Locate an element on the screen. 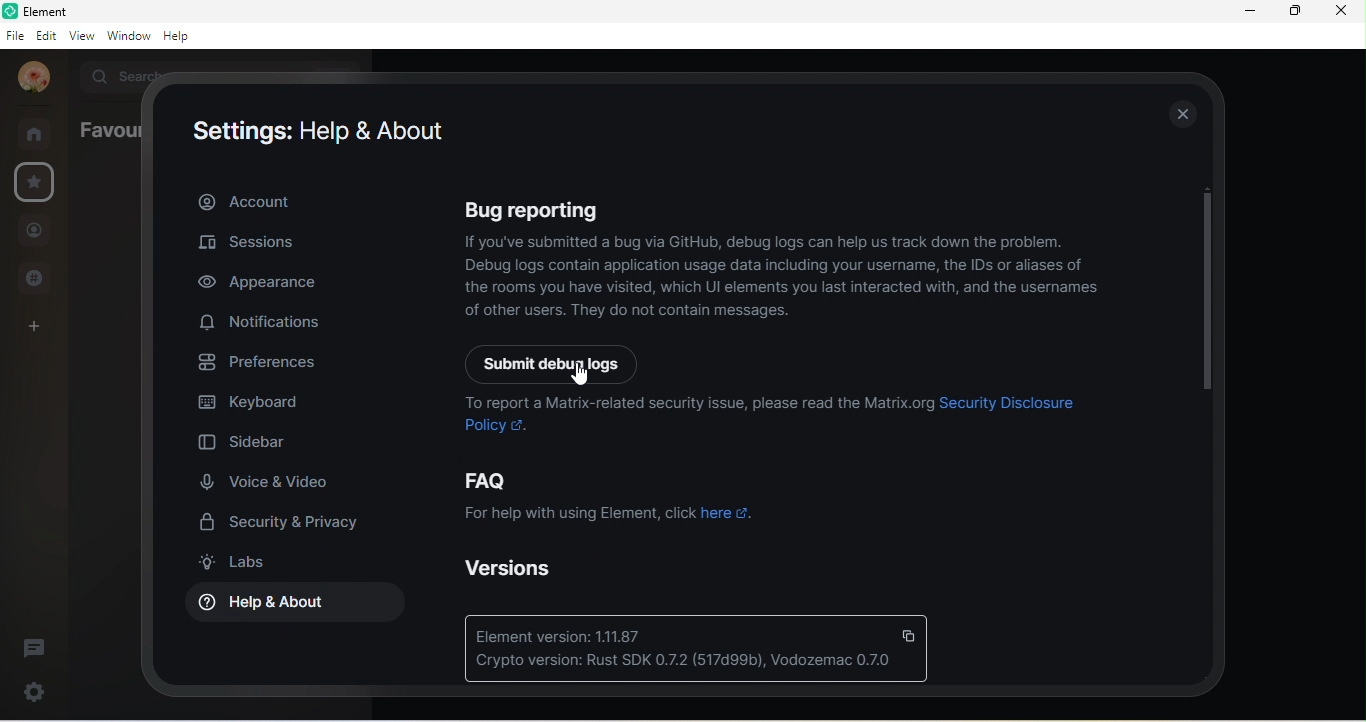  minimize is located at coordinates (1246, 12).